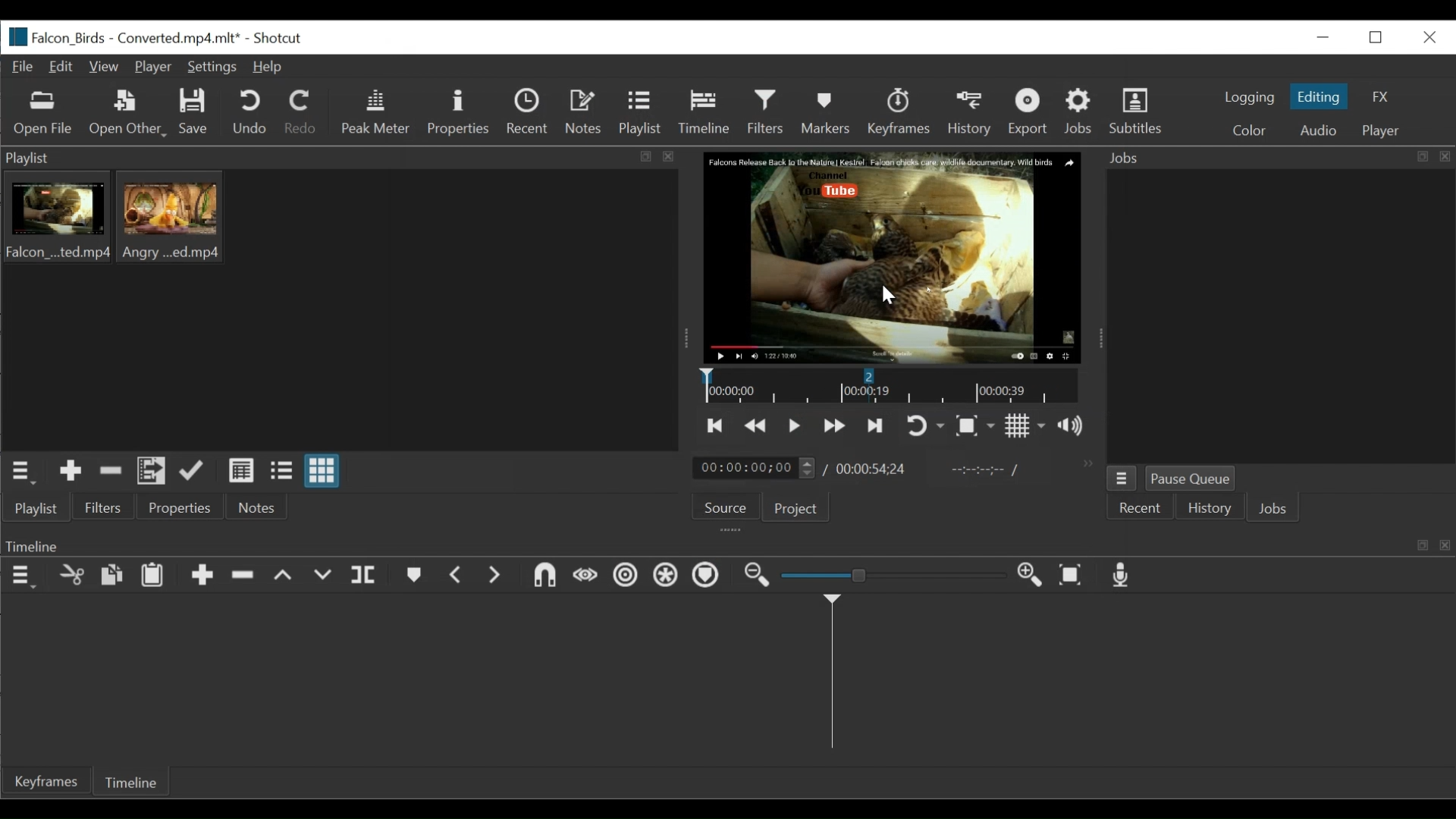 The width and height of the screenshot is (1456, 819). What do you see at coordinates (245, 579) in the screenshot?
I see `Ripple Delete` at bounding box center [245, 579].